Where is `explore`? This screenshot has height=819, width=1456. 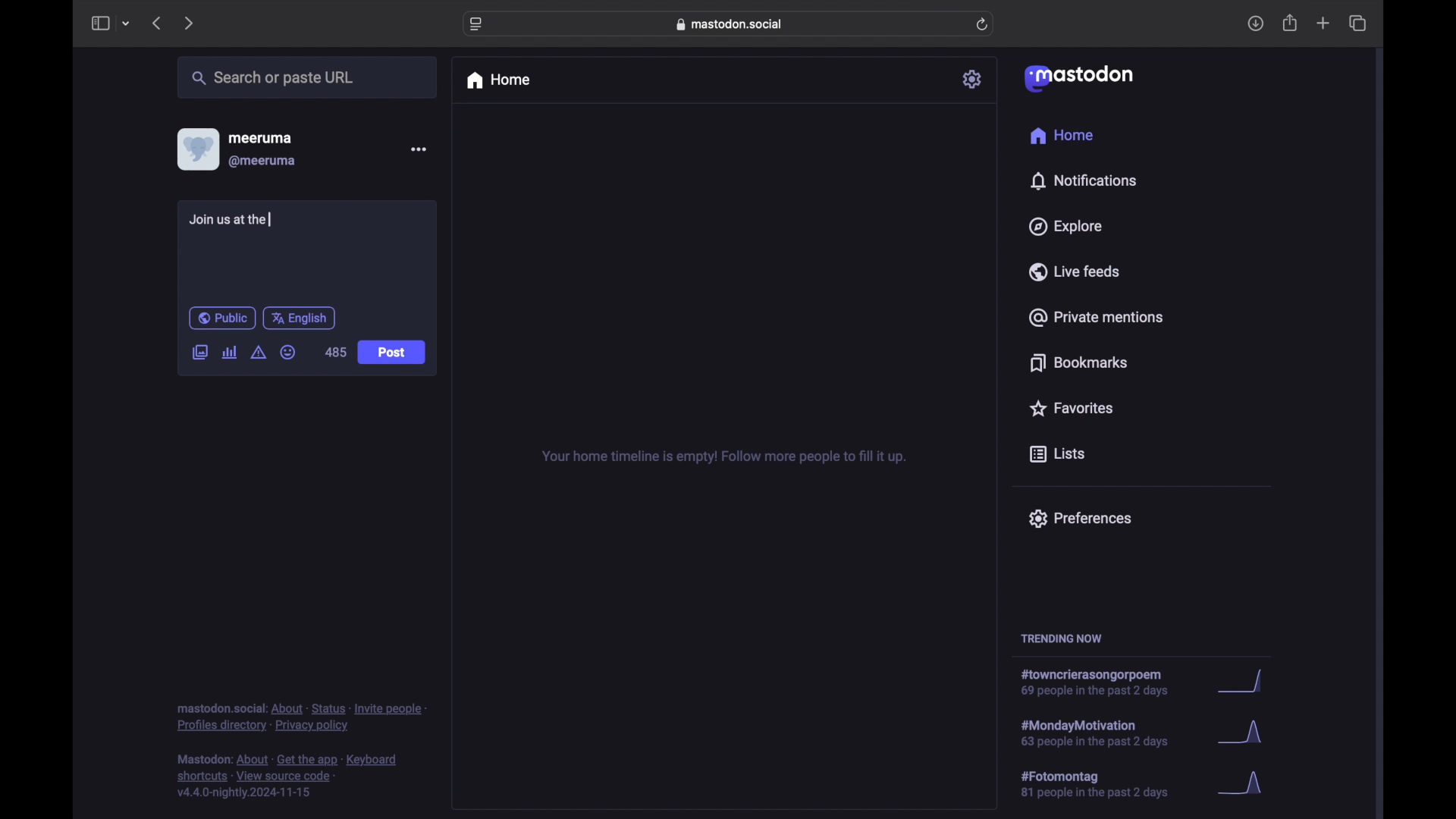
explore is located at coordinates (1064, 227).